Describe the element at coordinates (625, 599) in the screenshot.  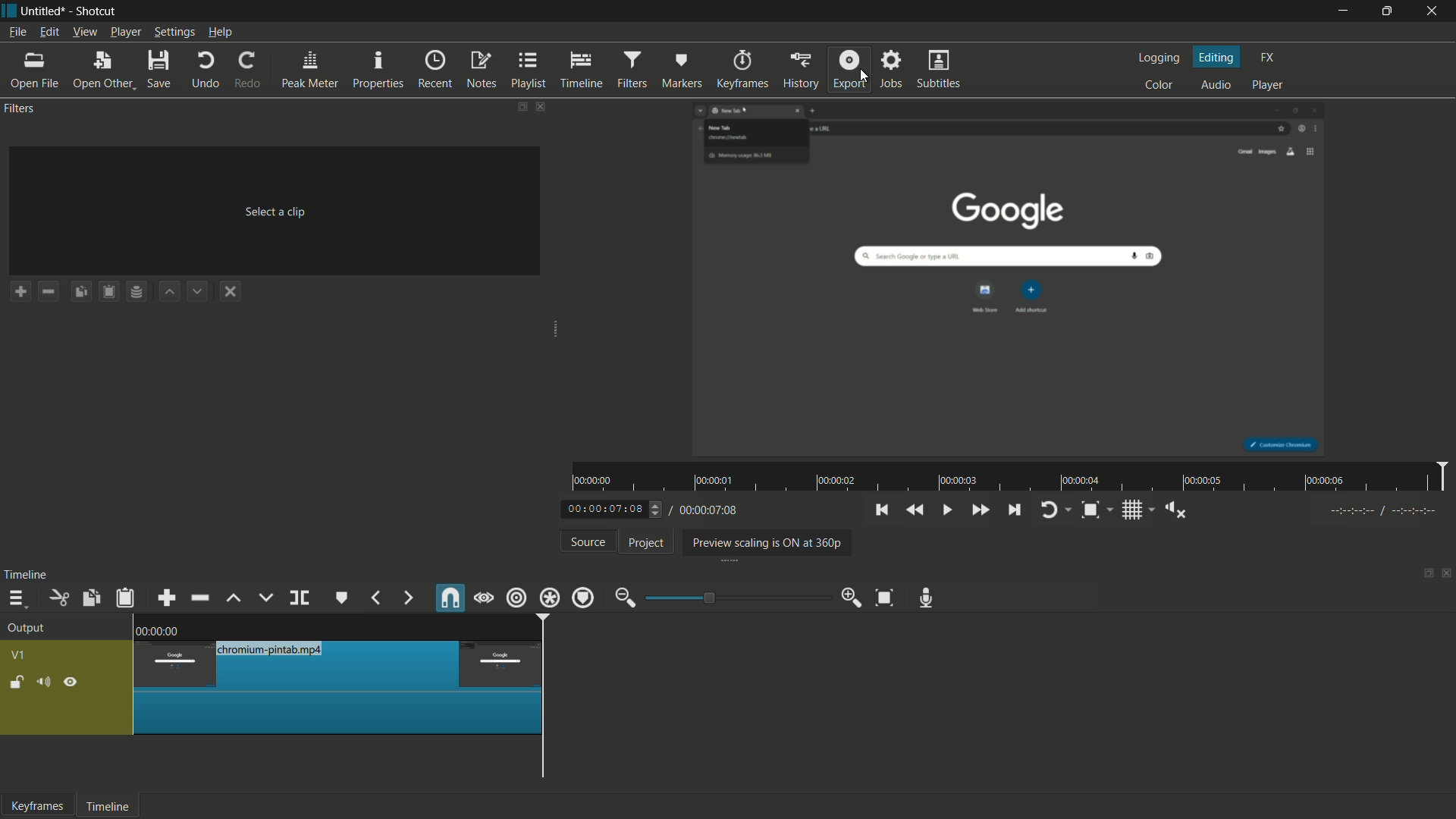
I see `zoom out` at that location.